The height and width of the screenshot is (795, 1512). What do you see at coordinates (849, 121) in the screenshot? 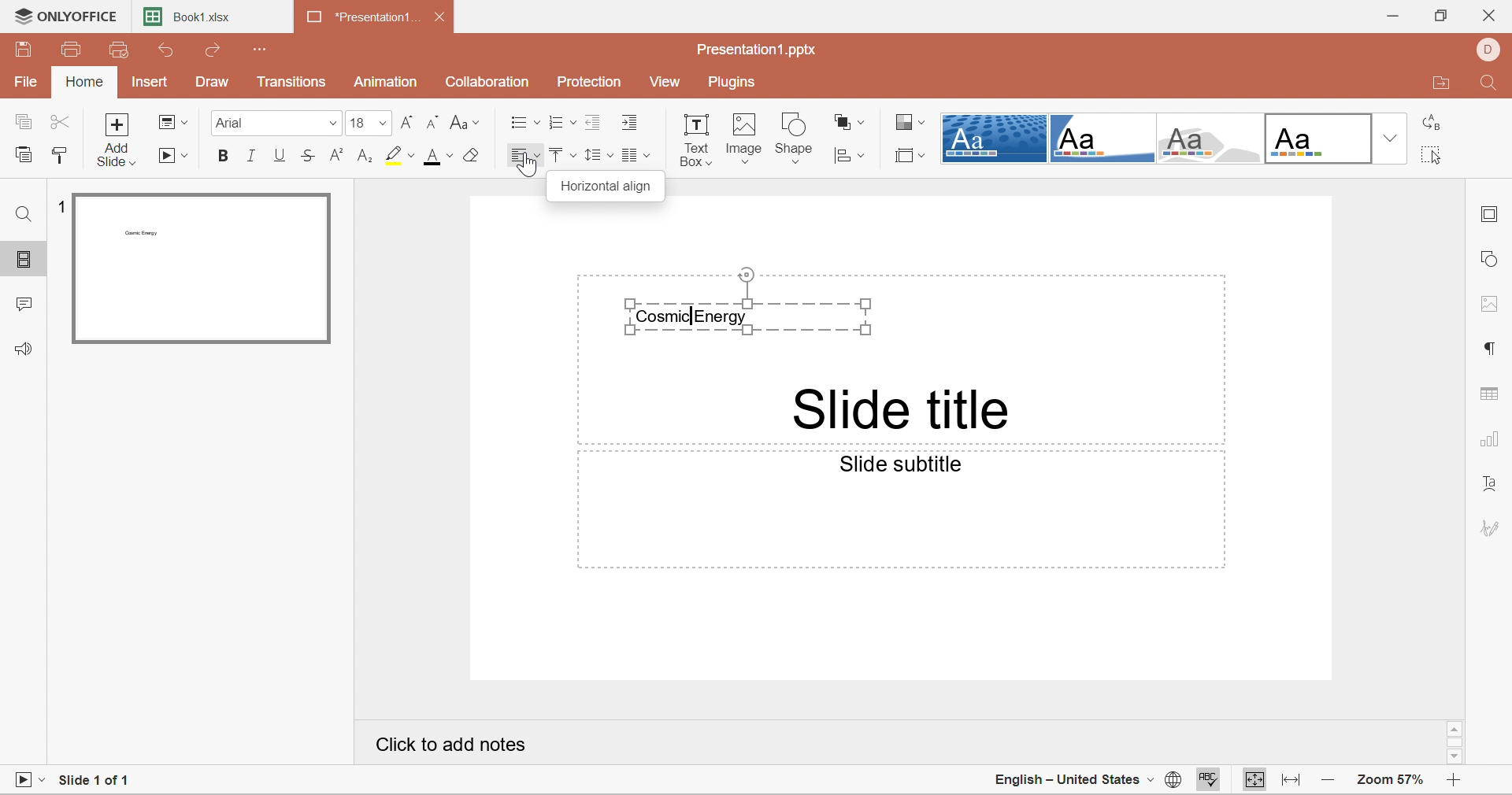
I see `Arrange shapes` at bounding box center [849, 121].